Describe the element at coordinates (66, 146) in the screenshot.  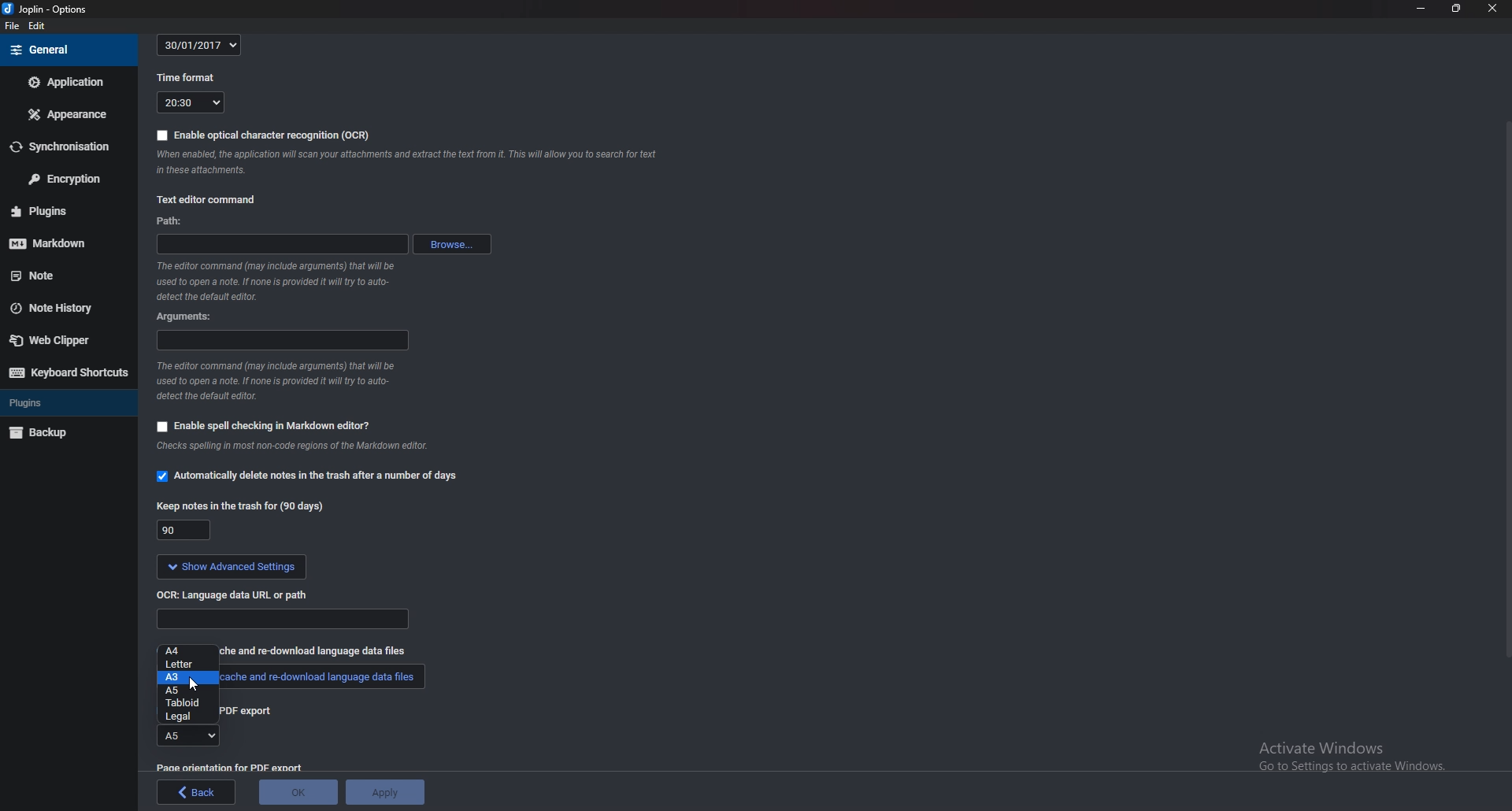
I see `Synchronization` at that location.